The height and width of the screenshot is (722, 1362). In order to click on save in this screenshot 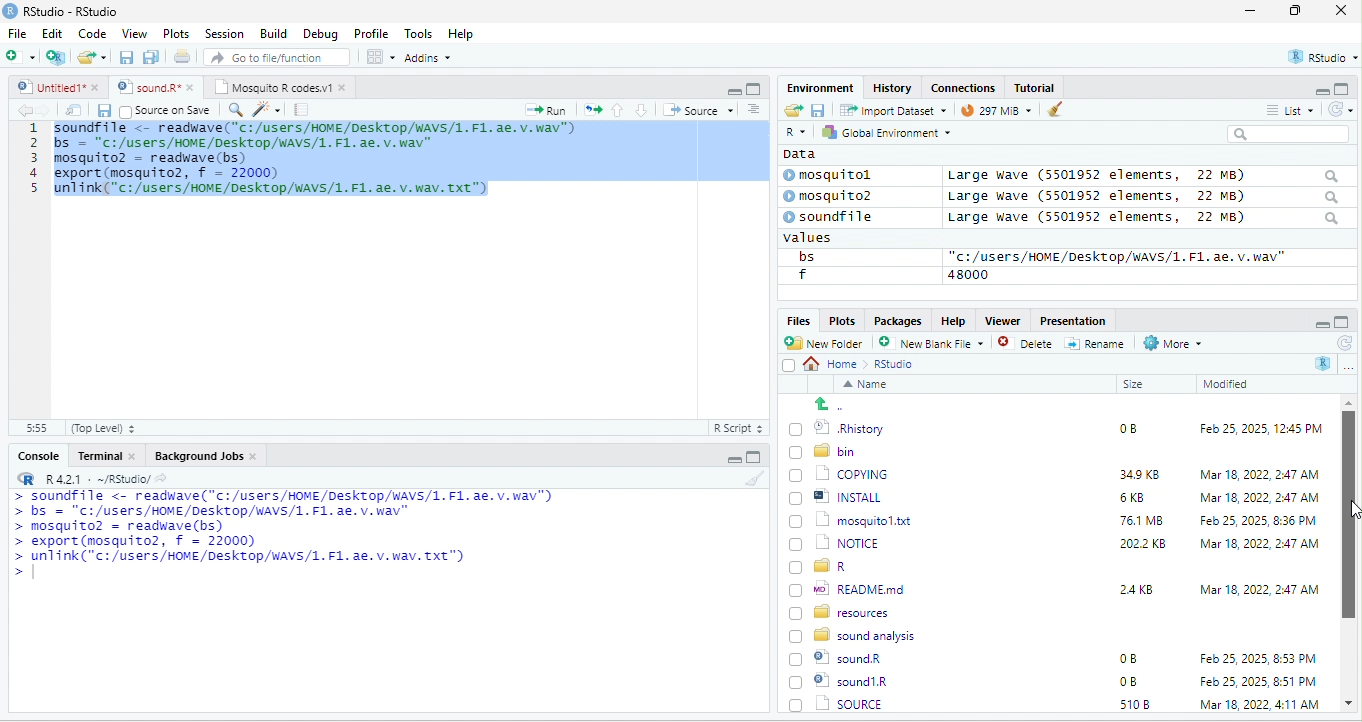, I will do `click(817, 109)`.